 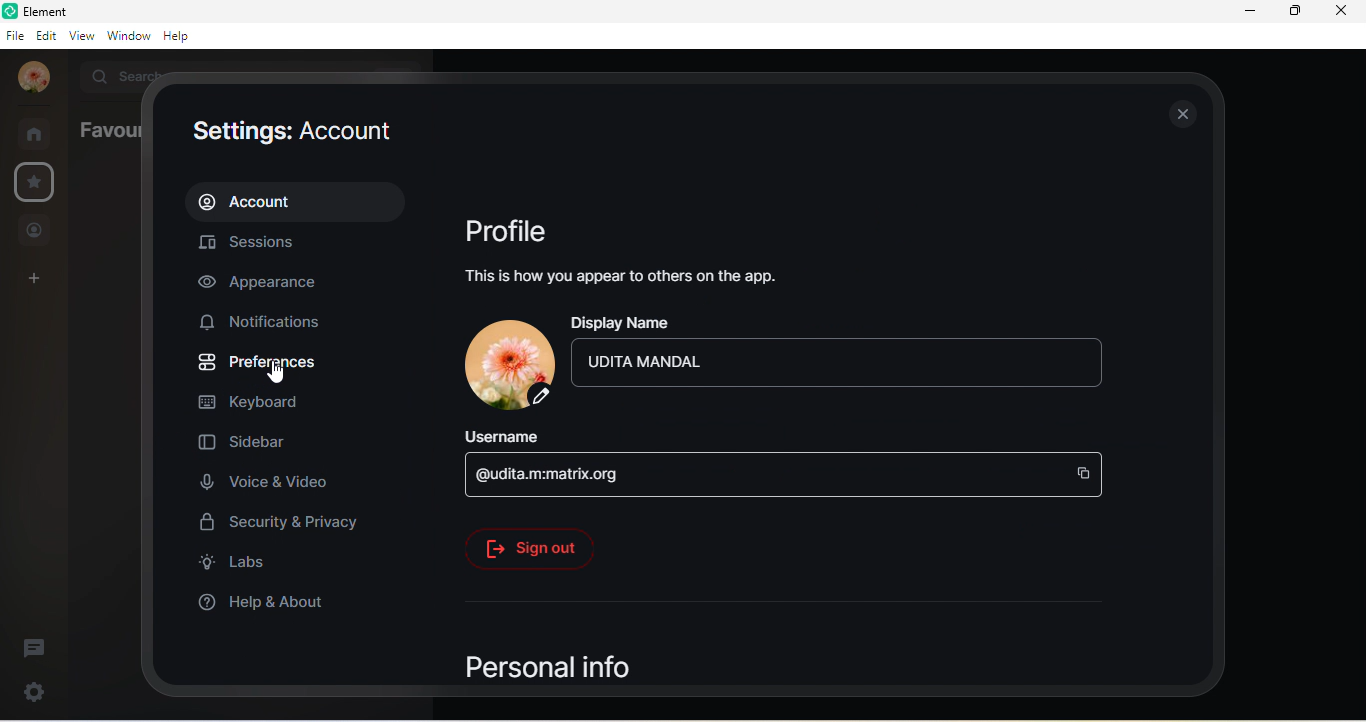 What do you see at coordinates (33, 182) in the screenshot?
I see `favorites` at bounding box center [33, 182].